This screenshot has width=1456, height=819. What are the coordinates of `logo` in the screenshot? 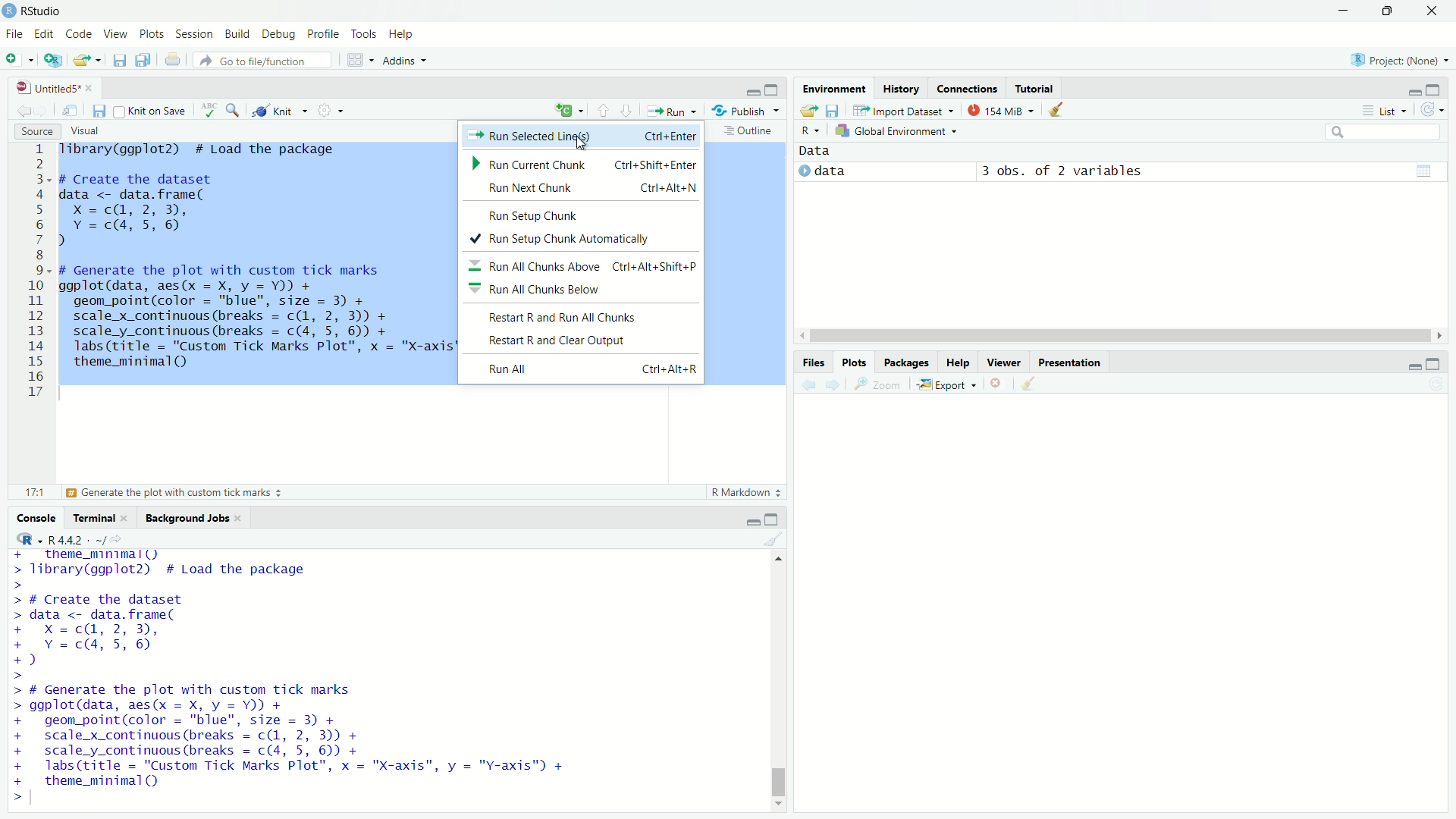 It's located at (9, 11).